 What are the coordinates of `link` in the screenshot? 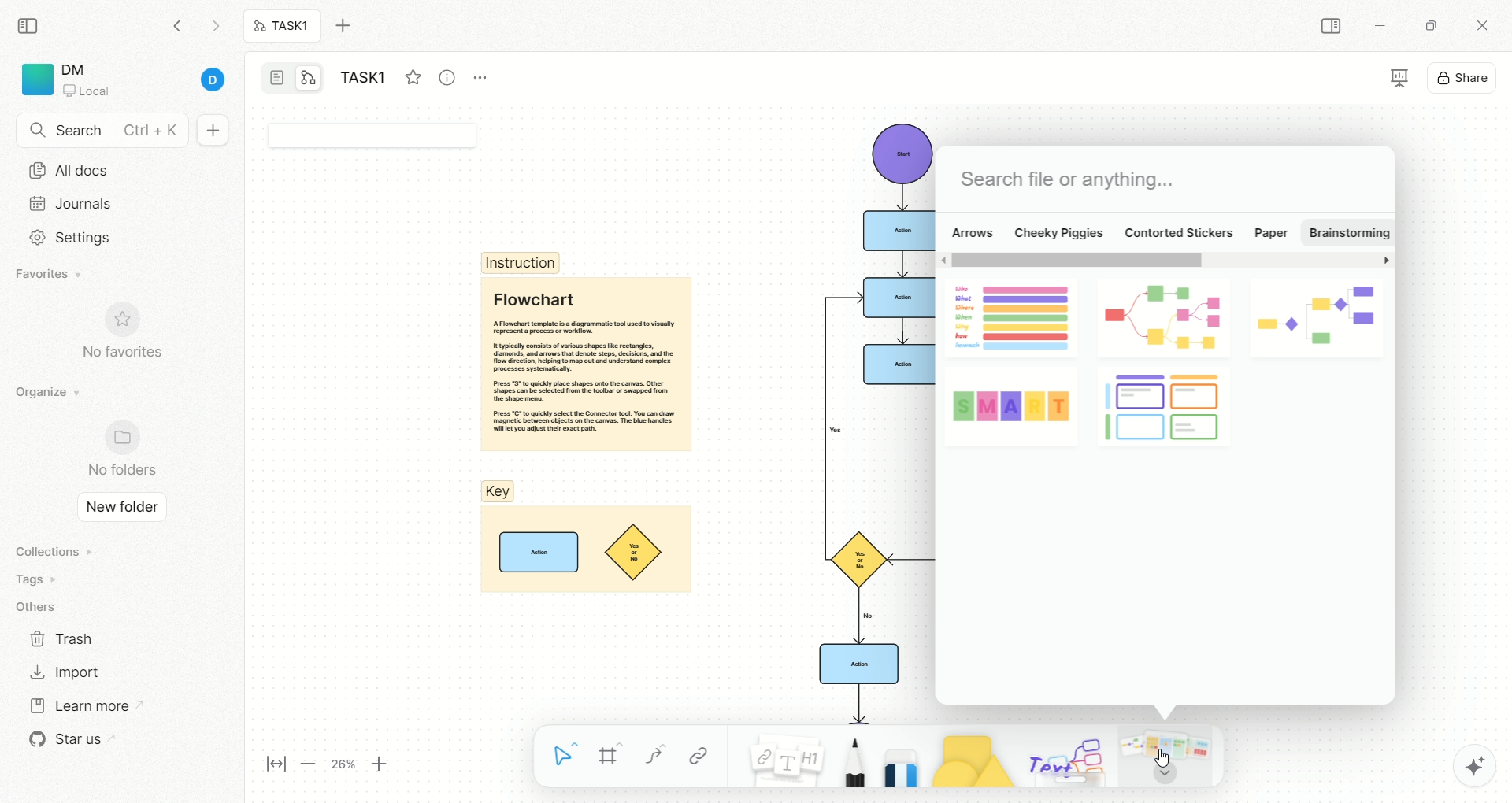 It's located at (699, 756).